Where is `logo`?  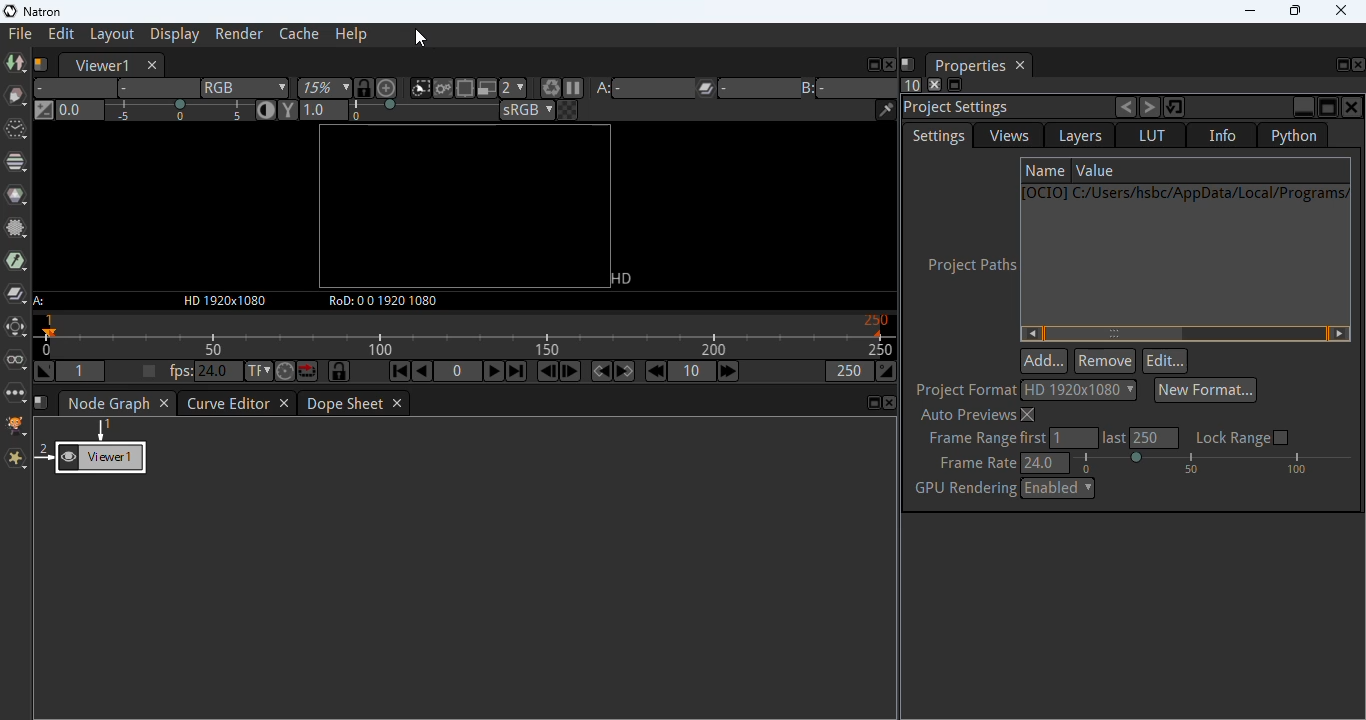 logo is located at coordinates (10, 11).